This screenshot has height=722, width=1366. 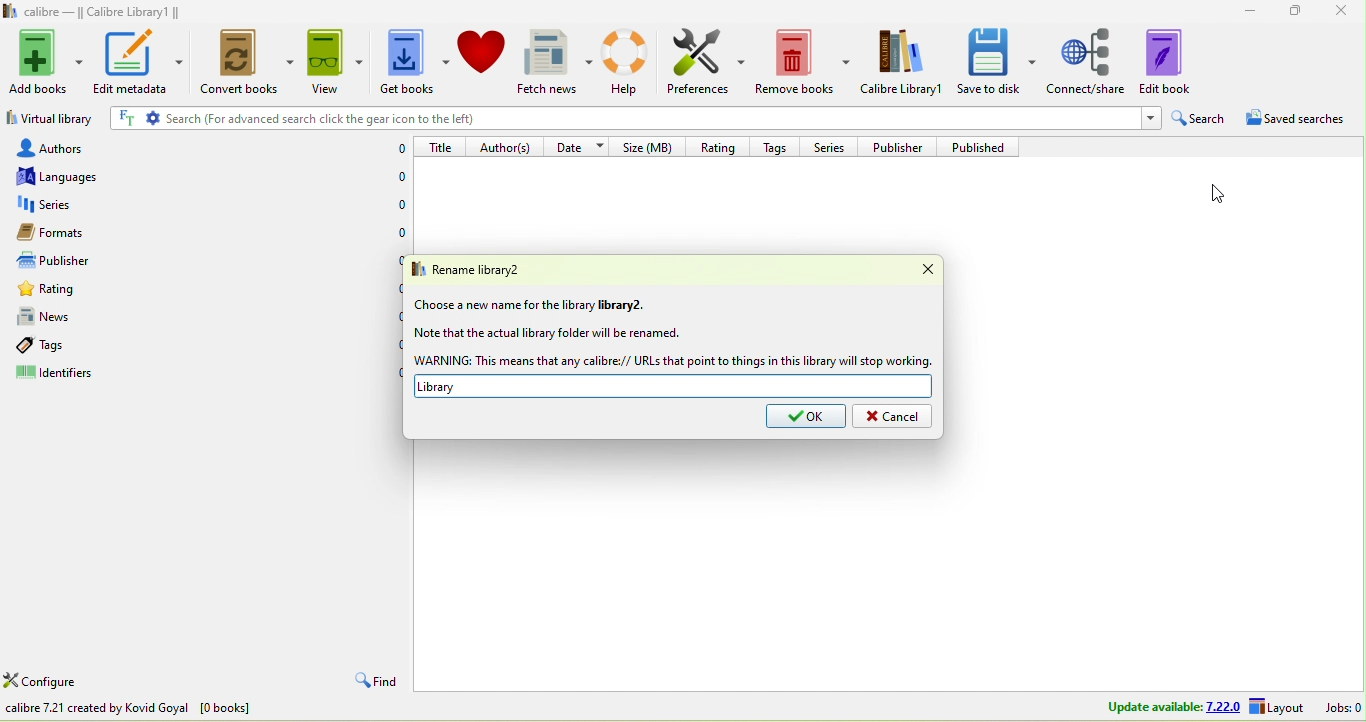 I want to click on rating, so click(x=716, y=145).